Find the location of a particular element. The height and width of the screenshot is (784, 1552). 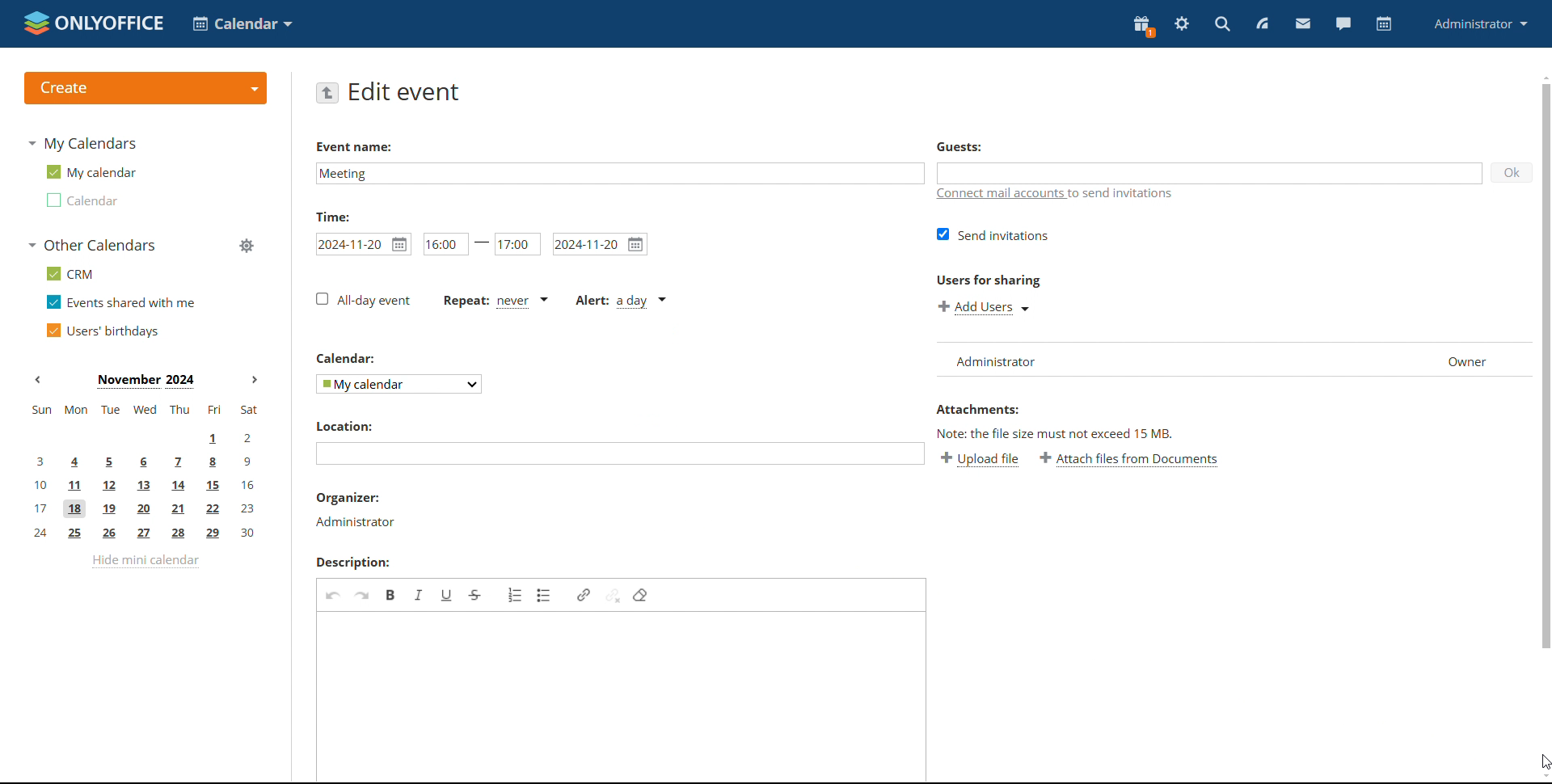

select application is located at coordinates (242, 23).